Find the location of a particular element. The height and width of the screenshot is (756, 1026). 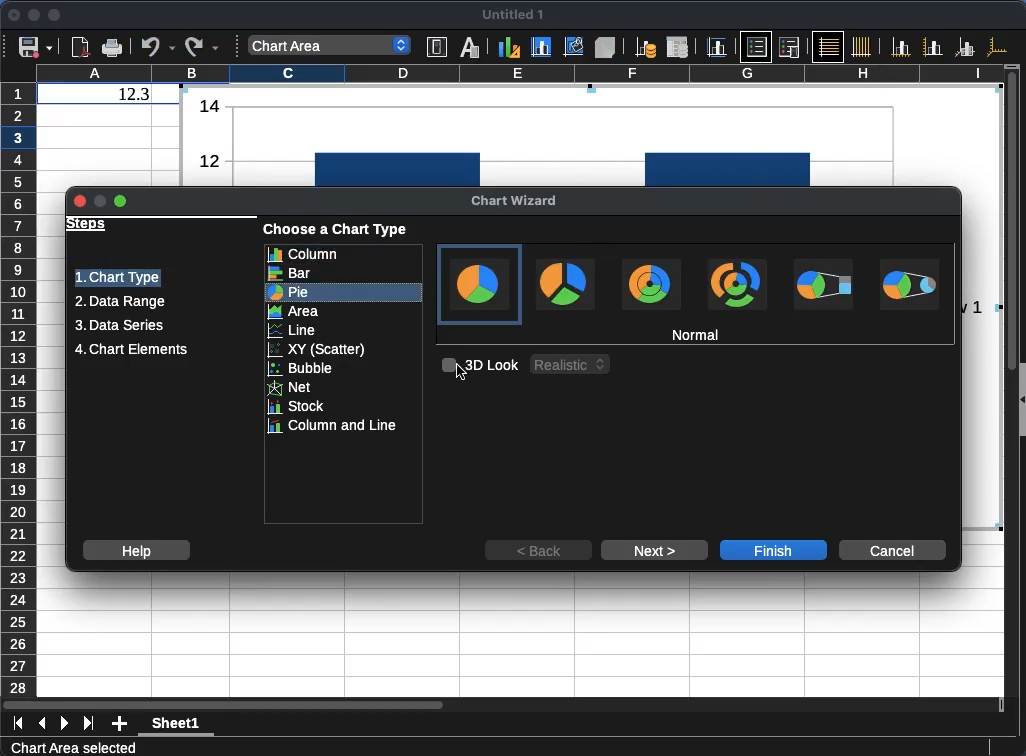

Exploded pie chart is located at coordinates (566, 284).